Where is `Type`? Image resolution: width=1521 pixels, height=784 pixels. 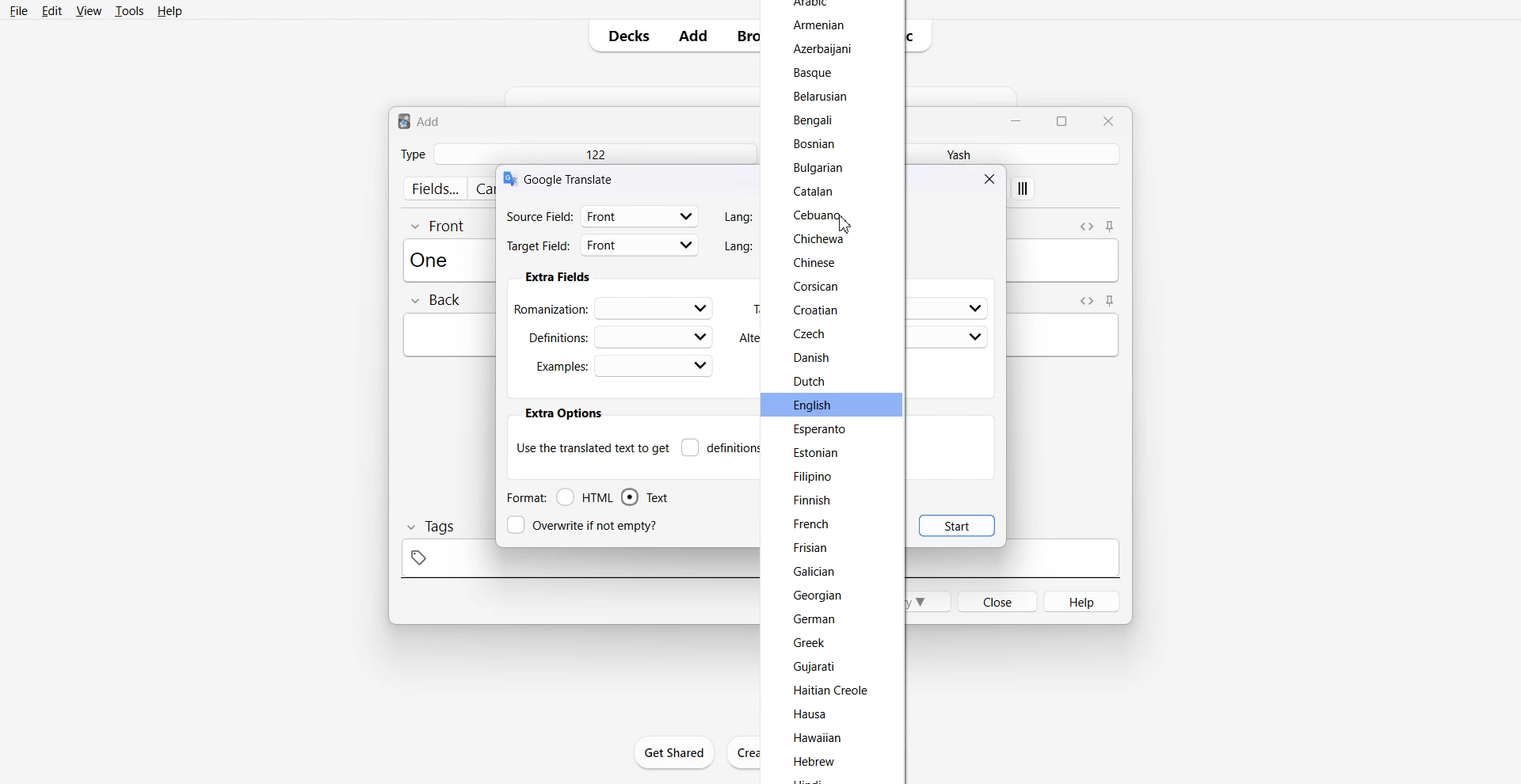
Type is located at coordinates (413, 154).